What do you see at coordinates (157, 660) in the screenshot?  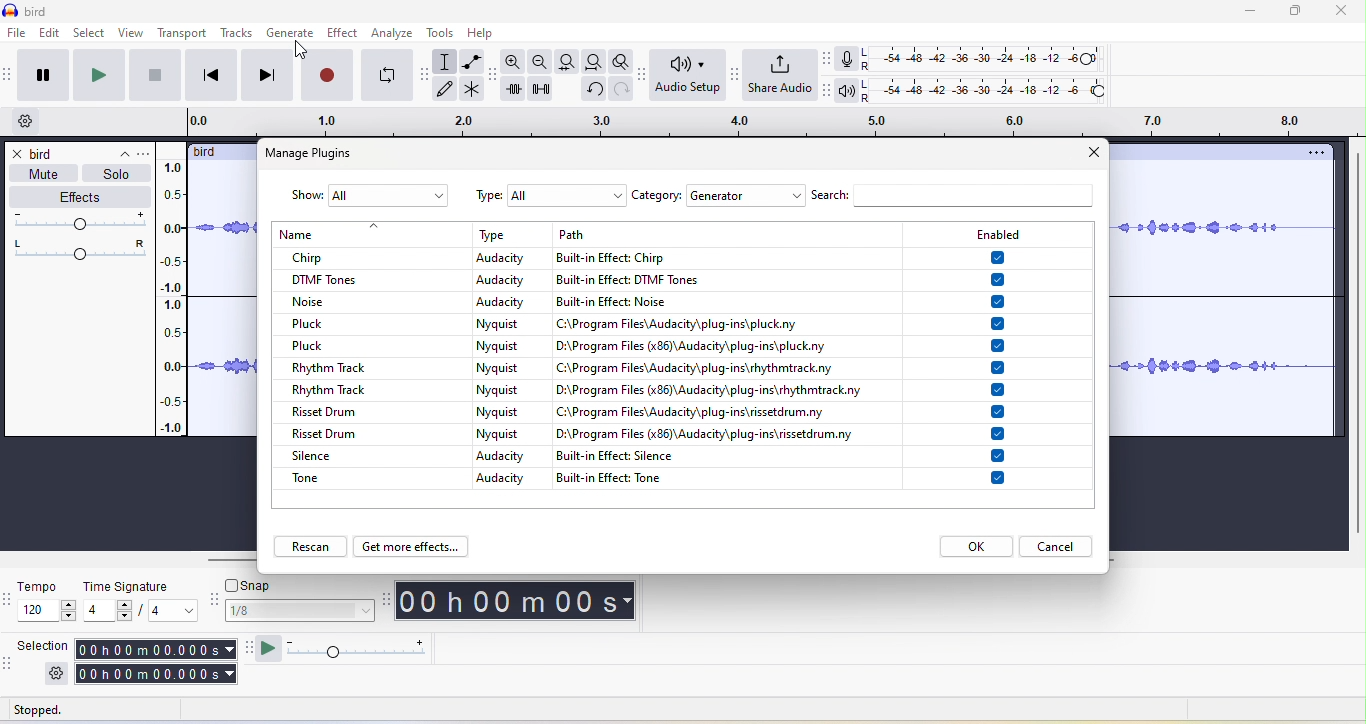 I see `selection` at bounding box center [157, 660].